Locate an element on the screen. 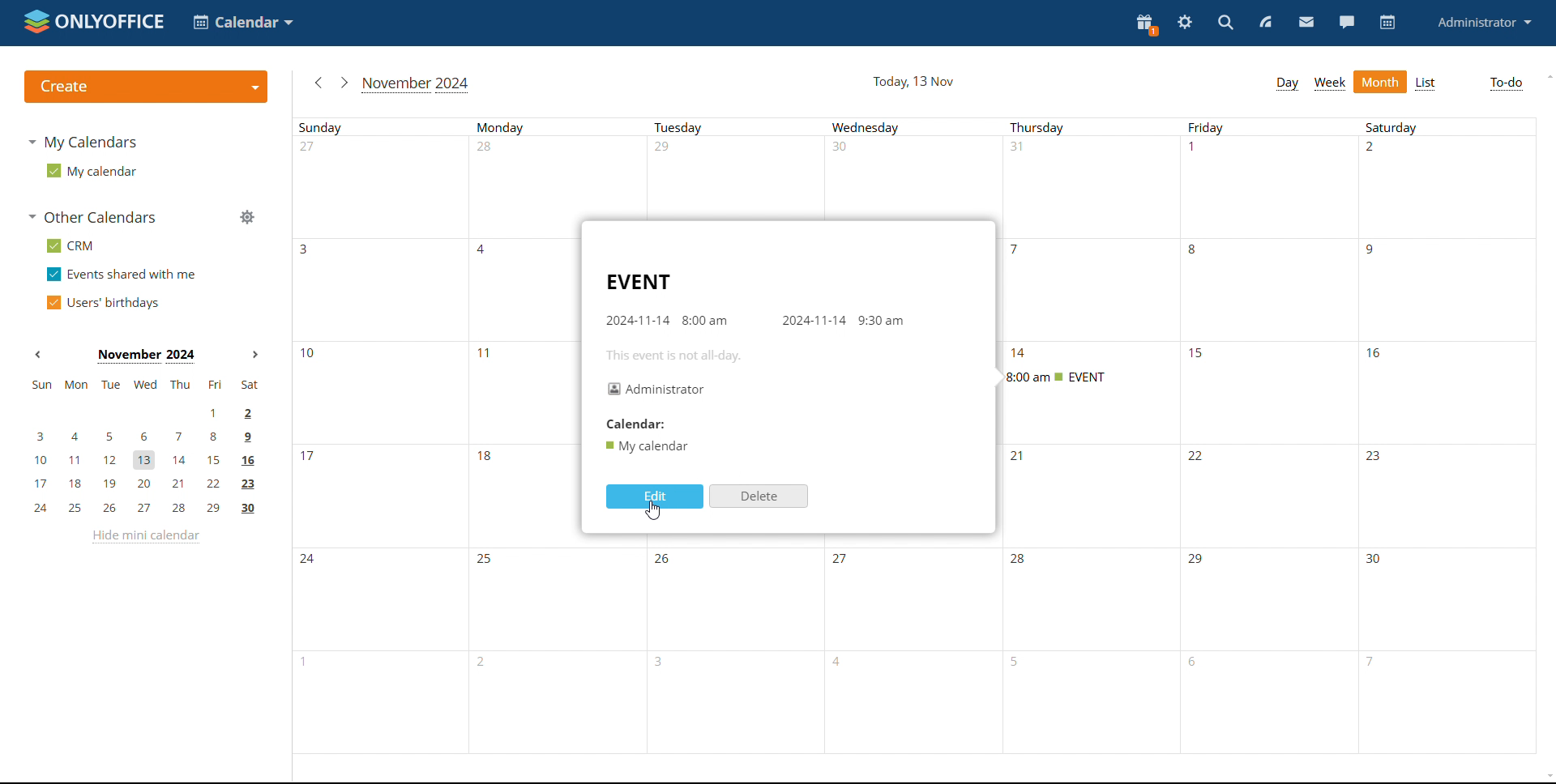  current date is located at coordinates (911, 82).